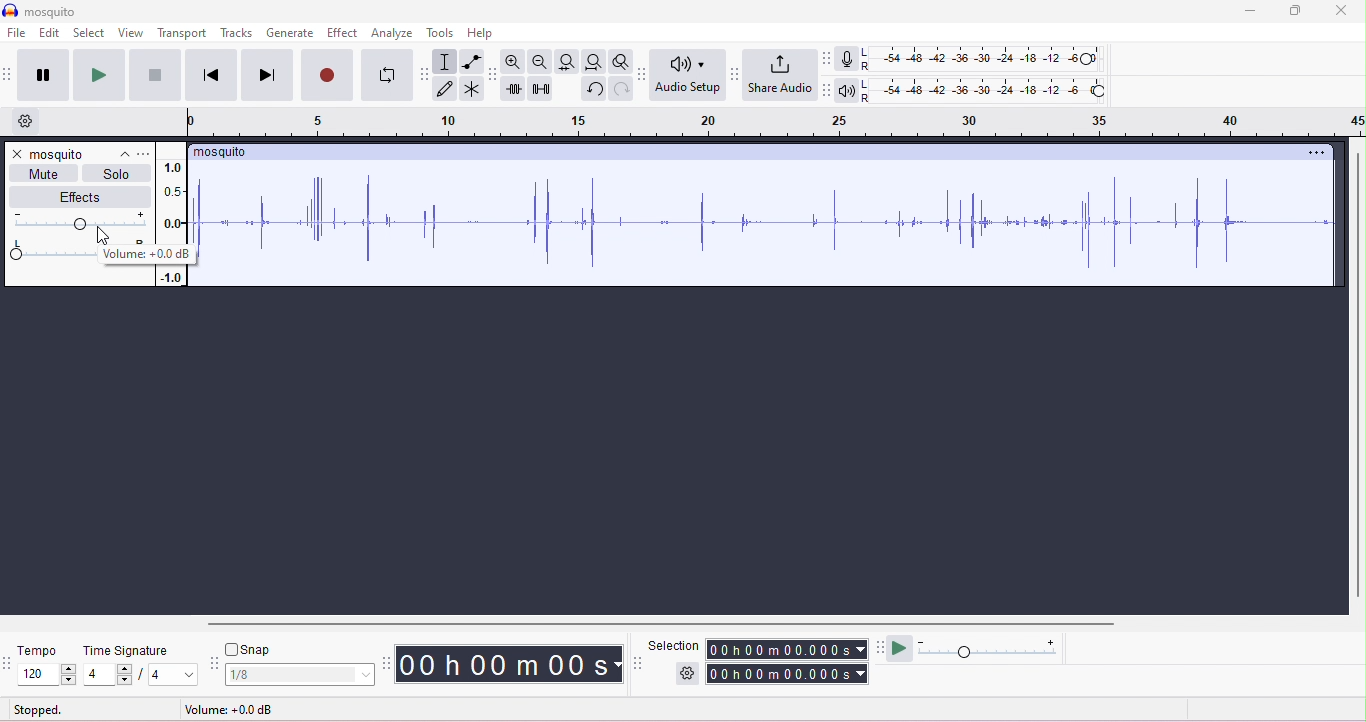 The image size is (1366, 722). I want to click on close, so click(1342, 10).